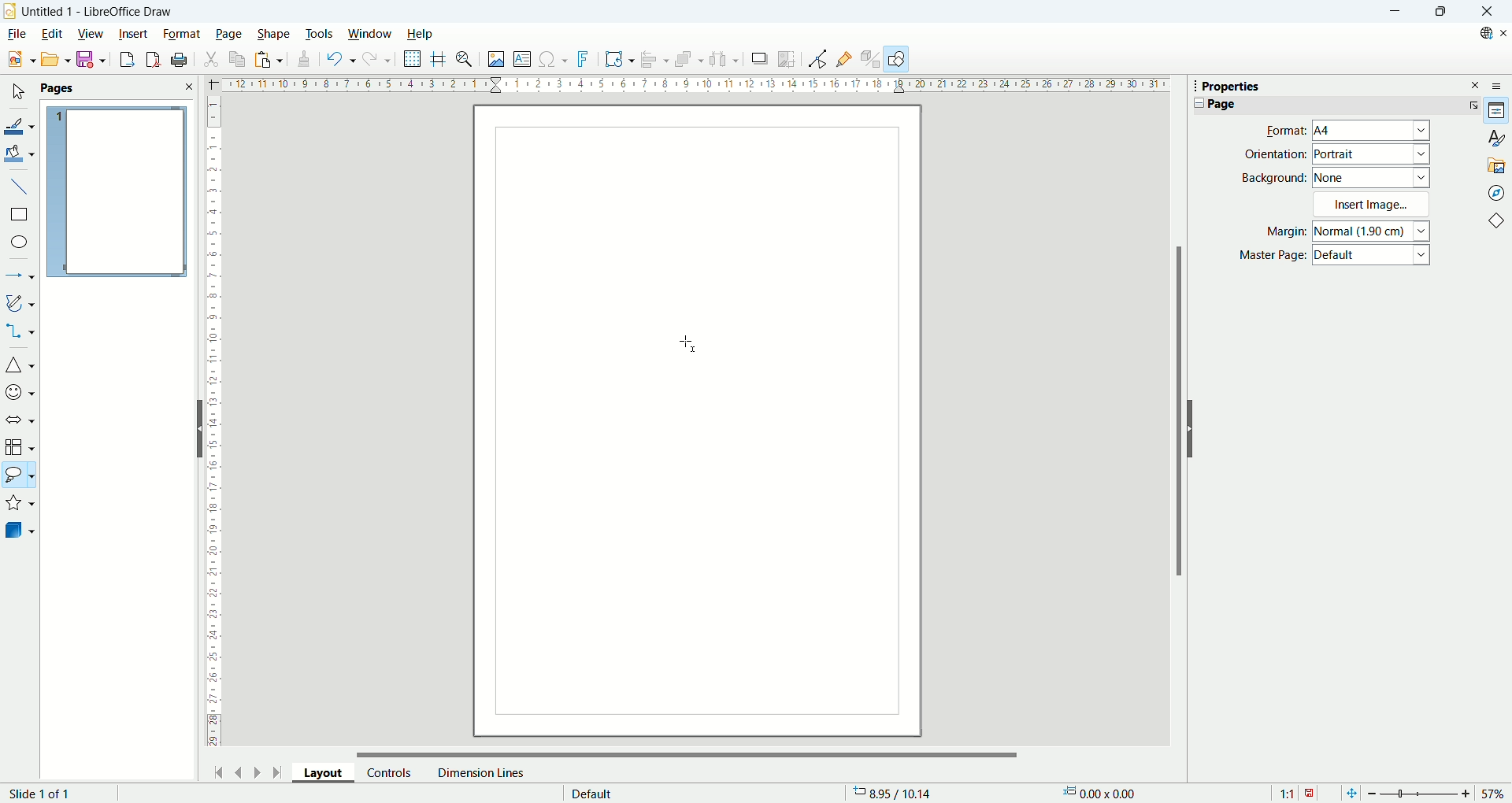 The height and width of the screenshot is (803, 1512). What do you see at coordinates (759, 59) in the screenshot?
I see `shadow` at bounding box center [759, 59].